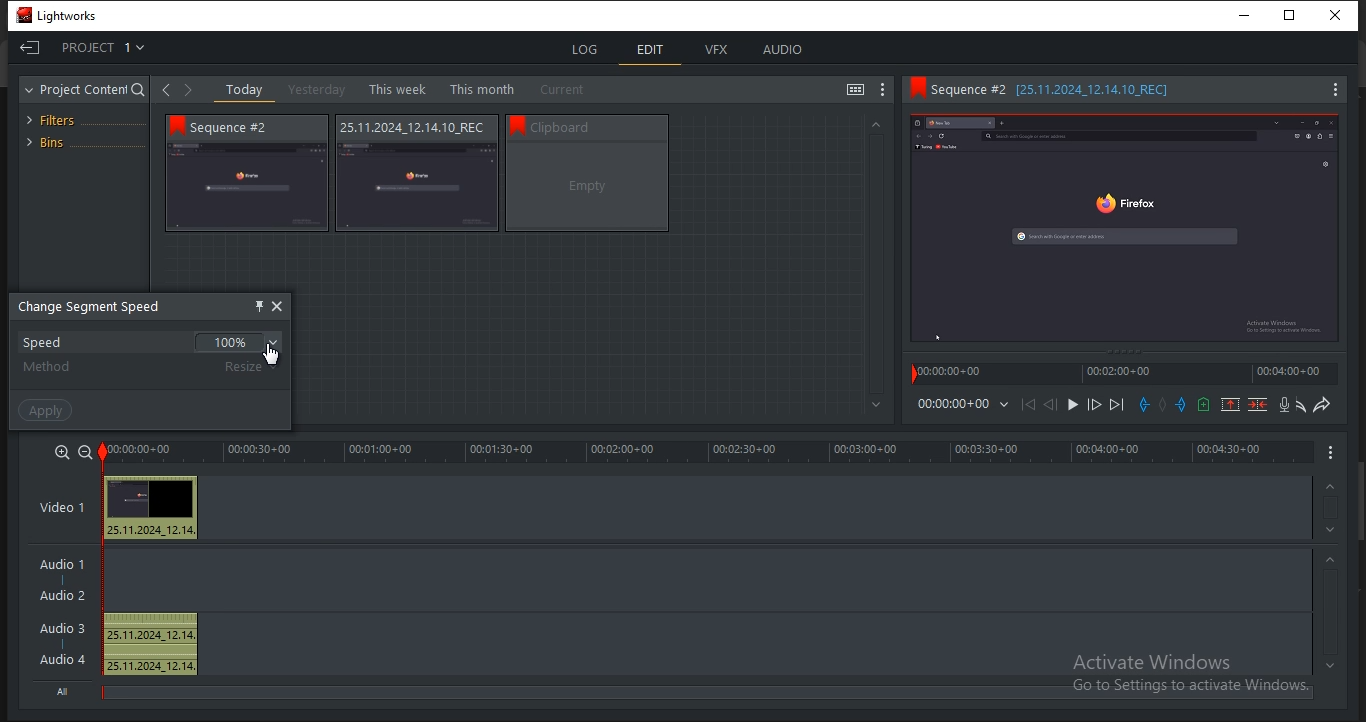 The image size is (1366, 722). What do you see at coordinates (90, 49) in the screenshot?
I see `project 1` at bounding box center [90, 49].